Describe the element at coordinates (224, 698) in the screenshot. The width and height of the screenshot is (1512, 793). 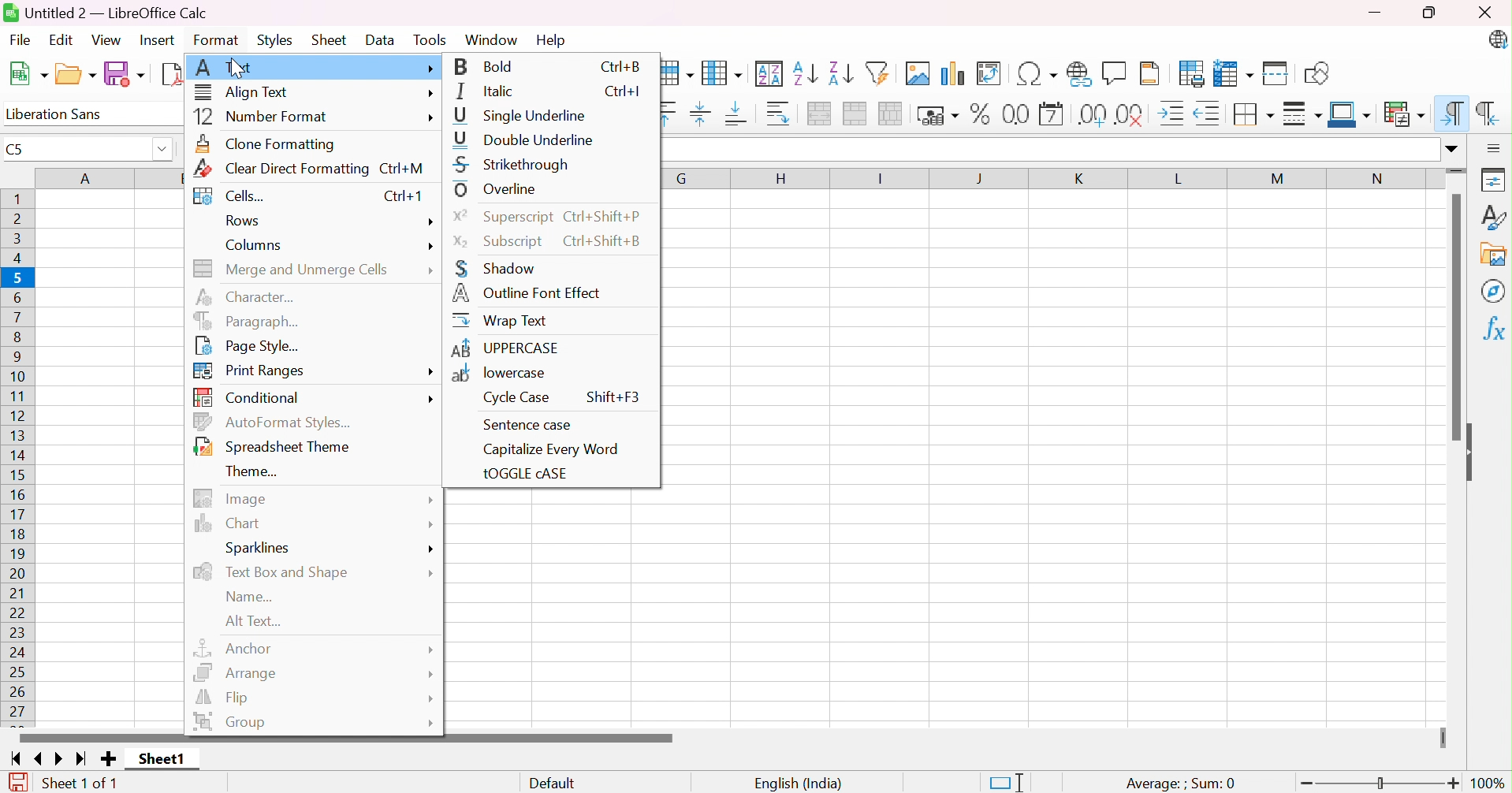
I see `Flip` at that location.